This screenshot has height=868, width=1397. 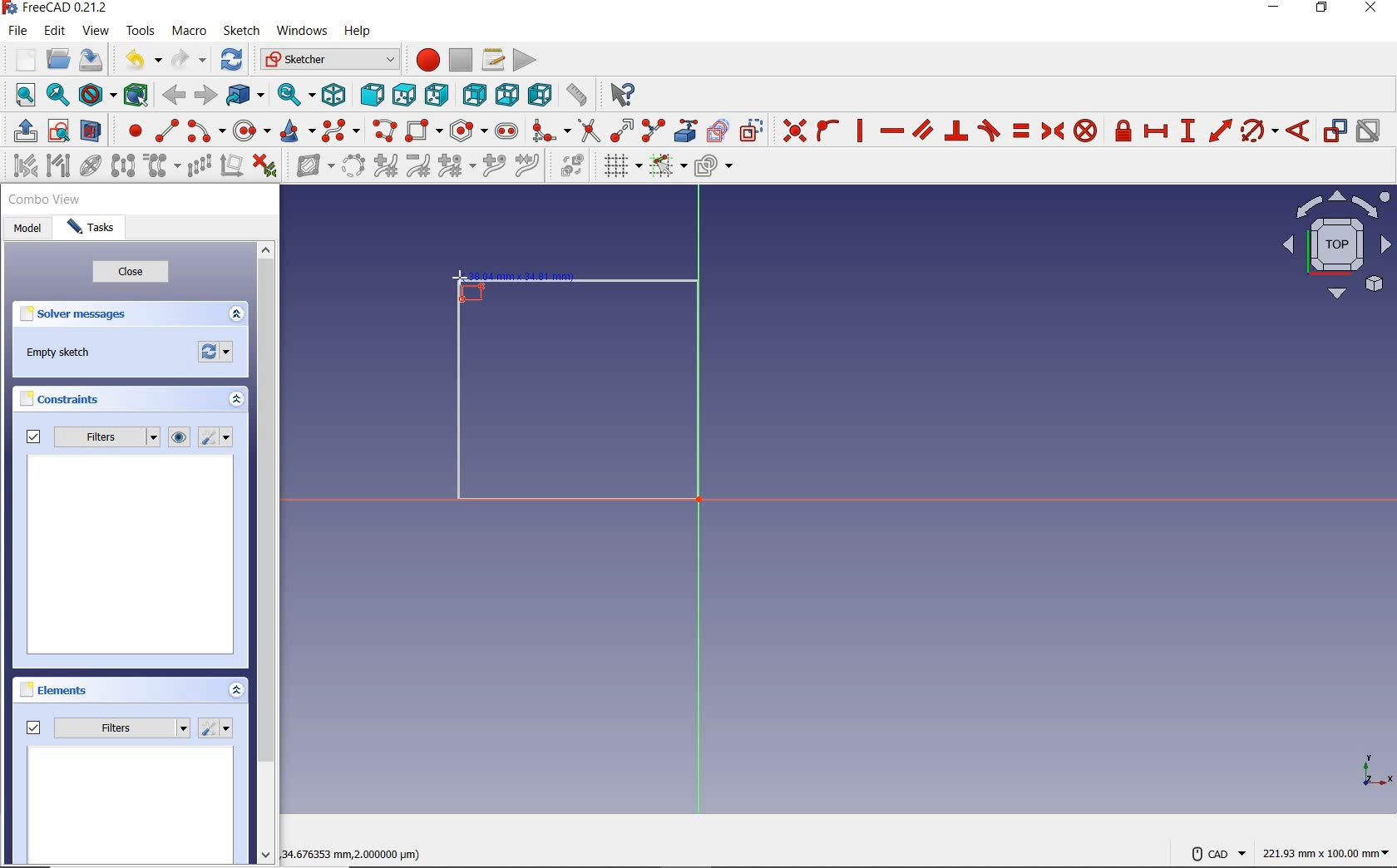 I want to click on configure rendering order, so click(x=717, y=169).